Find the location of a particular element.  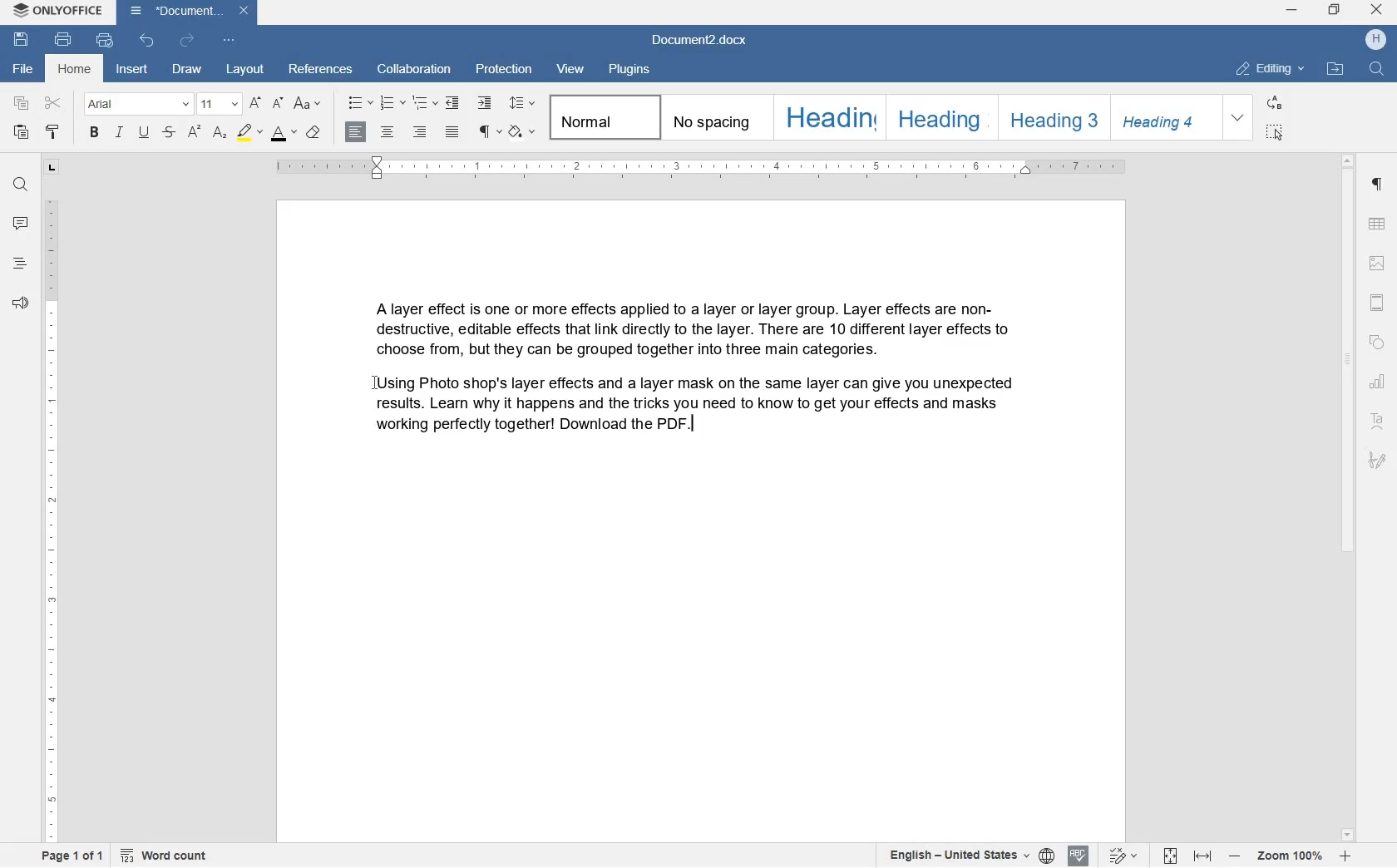

PAGE 1 OF 1 is located at coordinates (72, 856).